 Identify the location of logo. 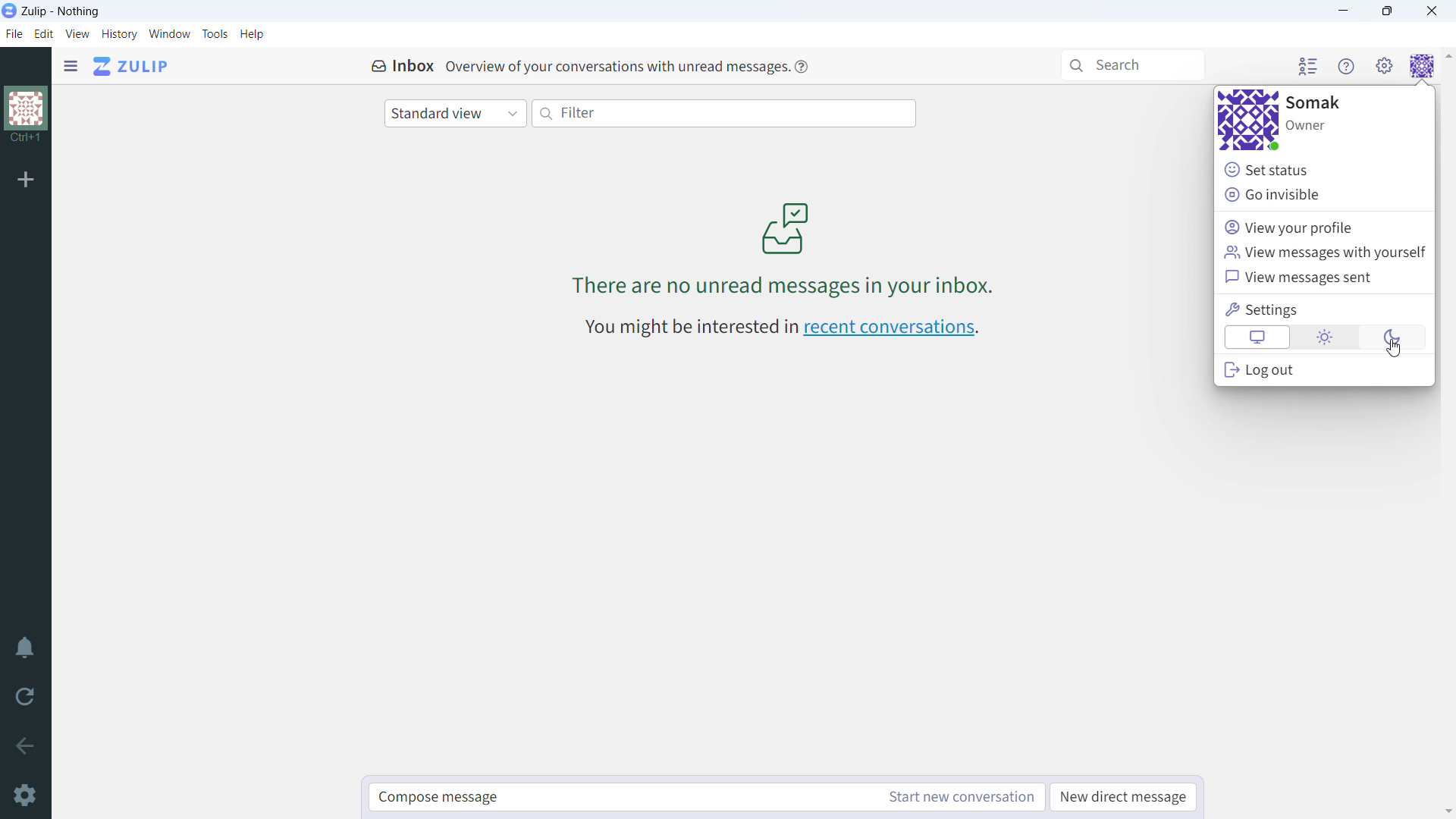
(9, 11).